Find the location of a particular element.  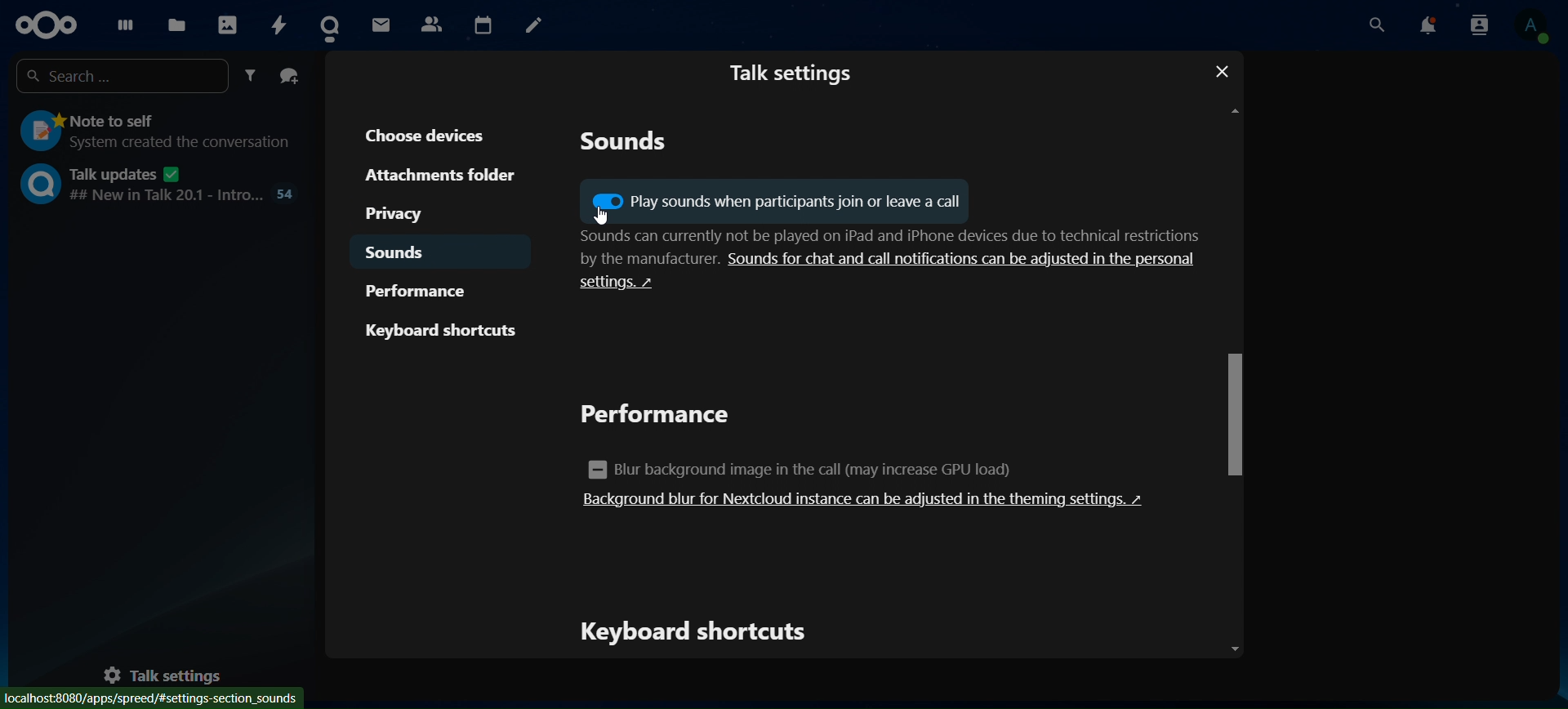

contacts is located at coordinates (430, 24).